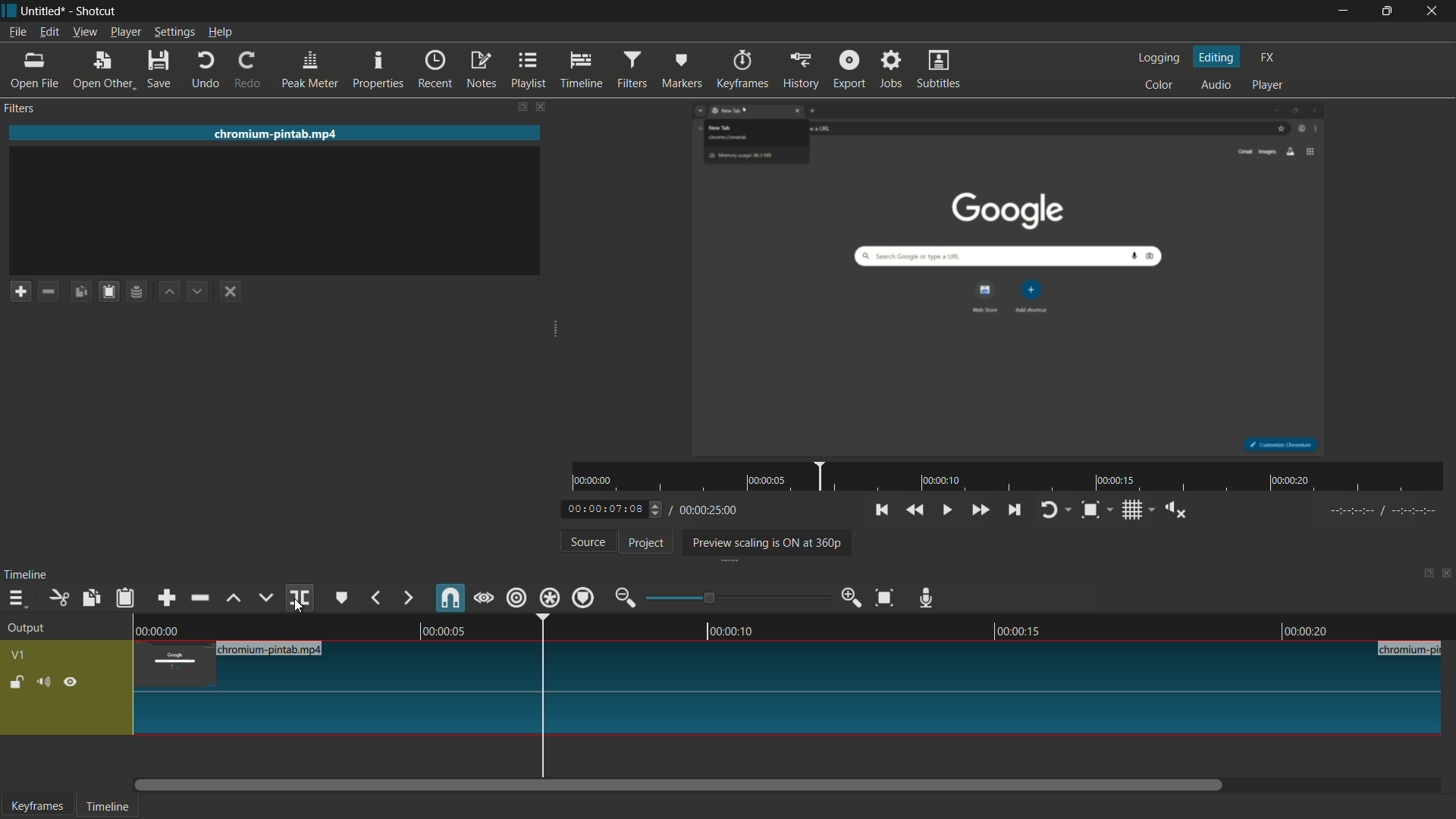  What do you see at coordinates (1216, 86) in the screenshot?
I see `audio` at bounding box center [1216, 86].